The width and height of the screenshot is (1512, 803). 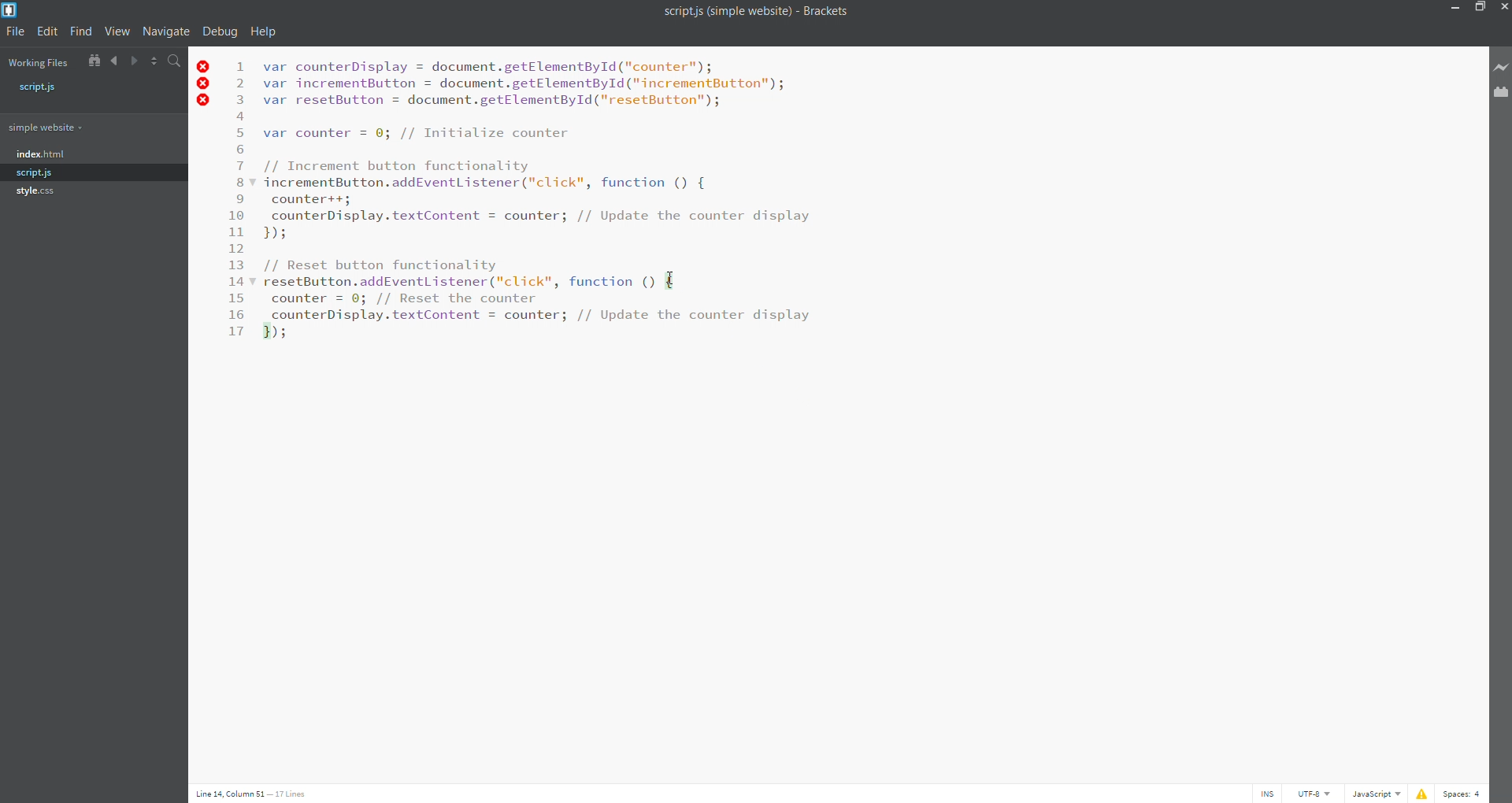 What do you see at coordinates (1501, 98) in the screenshot?
I see `extension manager` at bounding box center [1501, 98].